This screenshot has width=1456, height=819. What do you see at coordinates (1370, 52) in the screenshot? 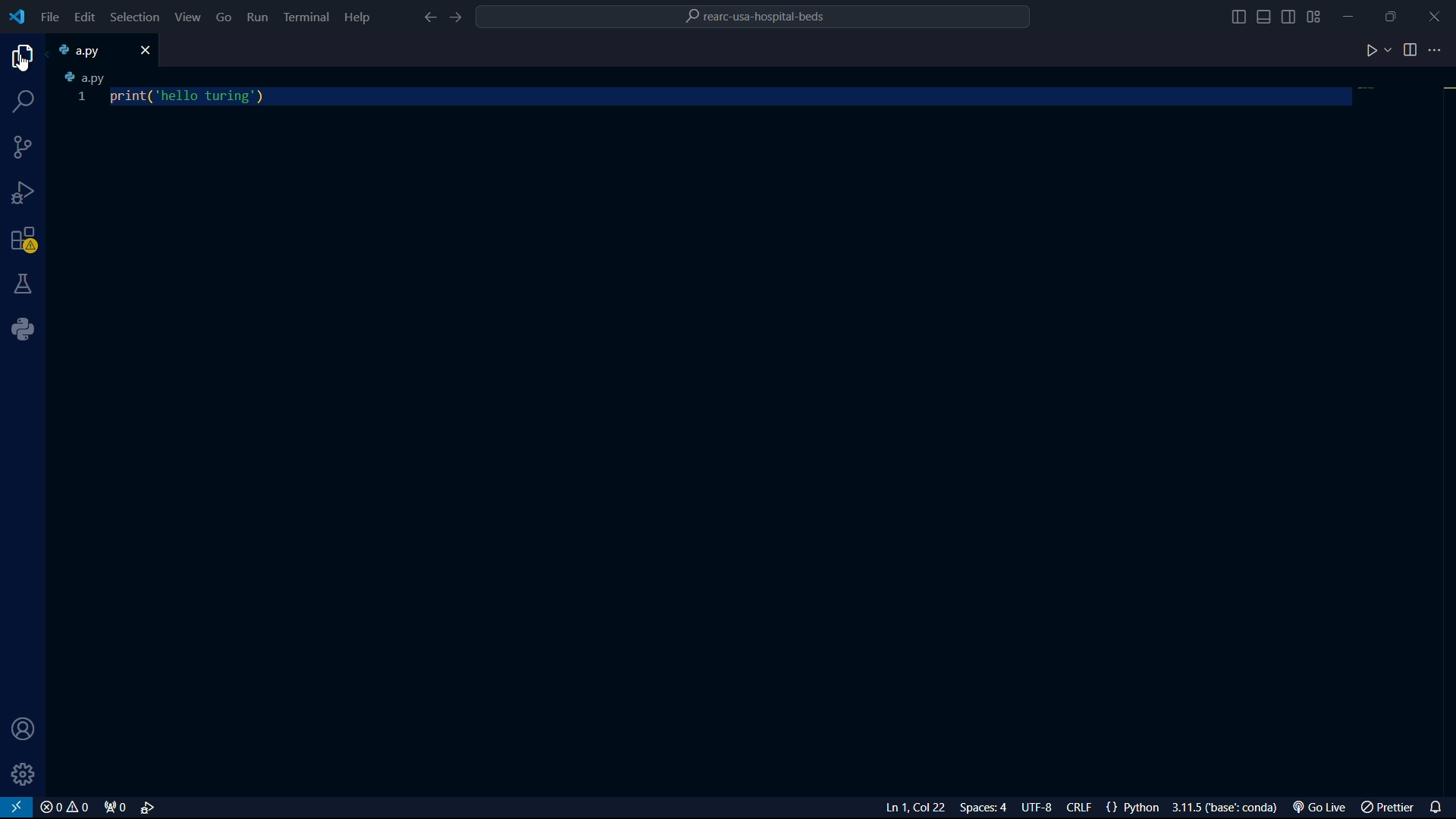
I see `run code` at bounding box center [1370, 52].